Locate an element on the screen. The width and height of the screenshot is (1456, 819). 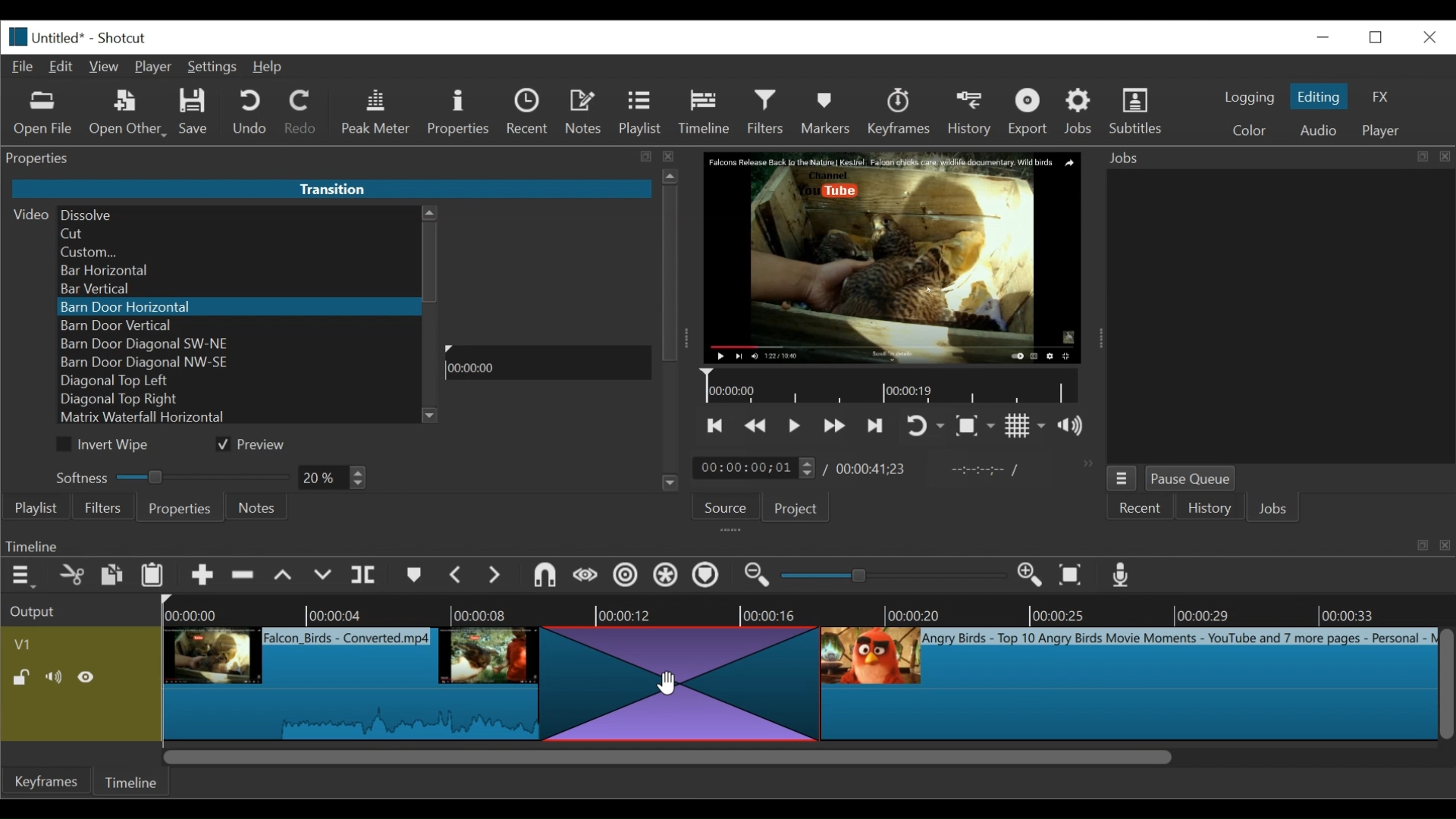
Field is located at coordinates (334, 479).